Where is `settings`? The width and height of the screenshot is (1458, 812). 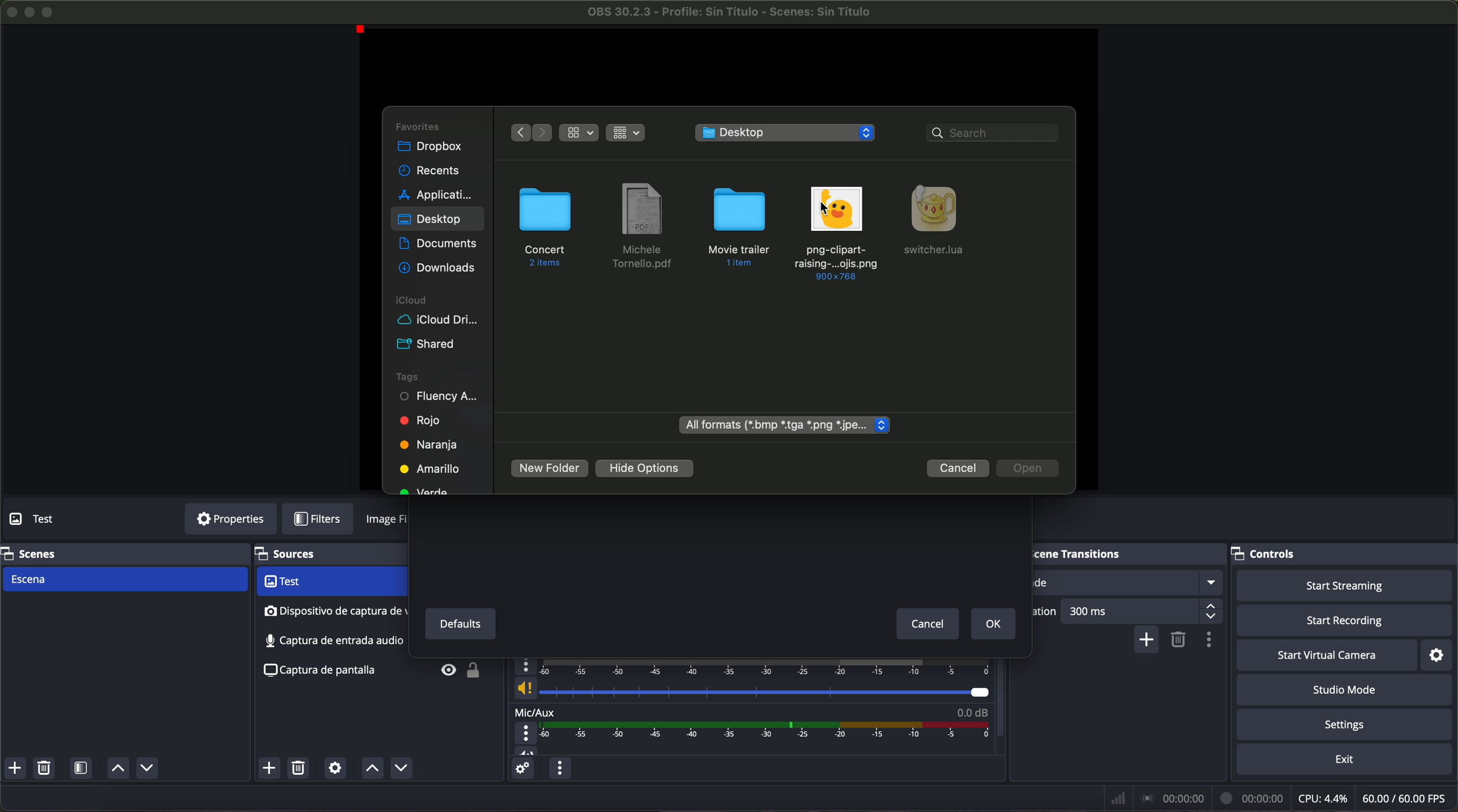
settings is located at coordinates (1442, 654).